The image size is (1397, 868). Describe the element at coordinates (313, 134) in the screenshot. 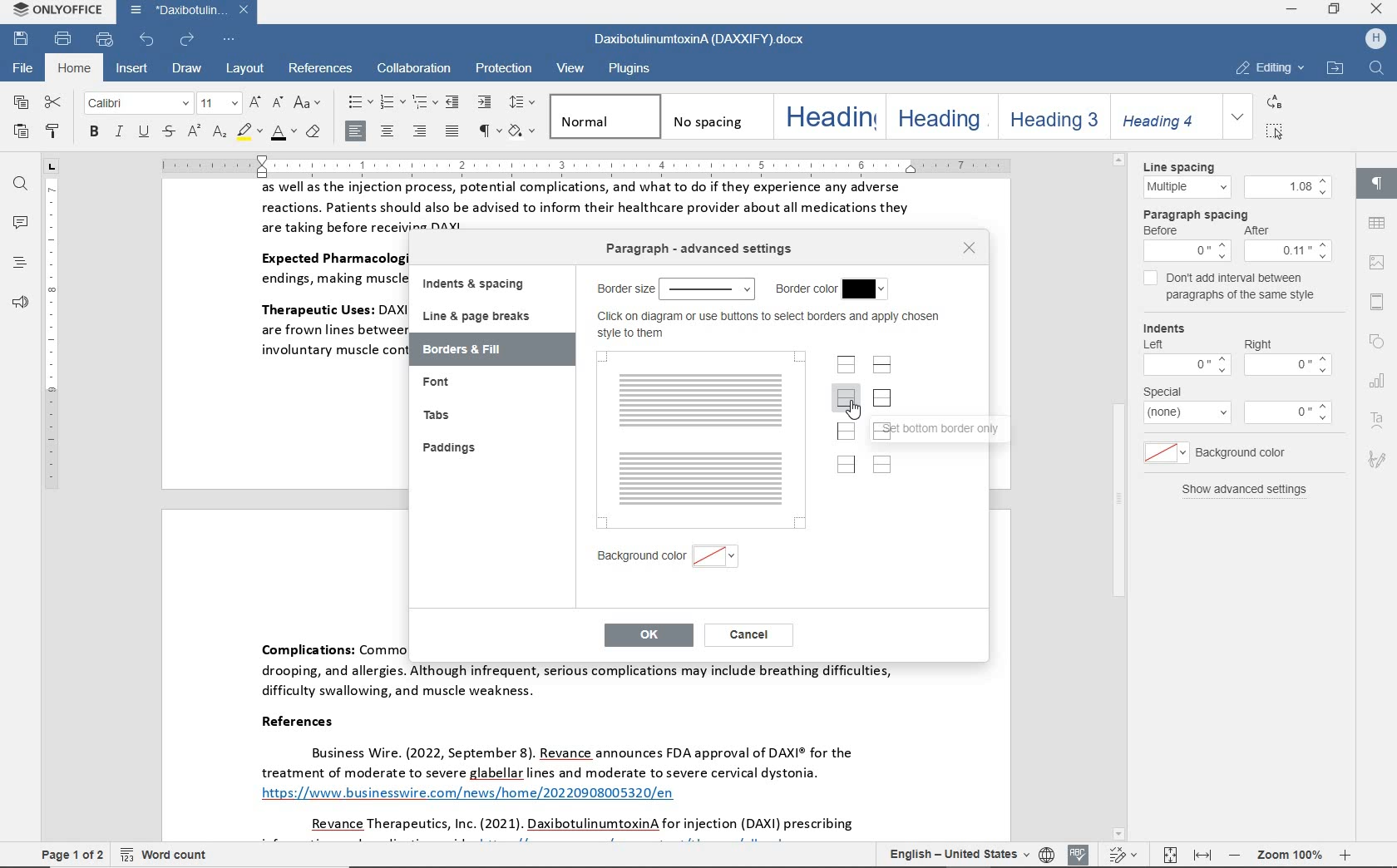

I see `clear style` at that location.